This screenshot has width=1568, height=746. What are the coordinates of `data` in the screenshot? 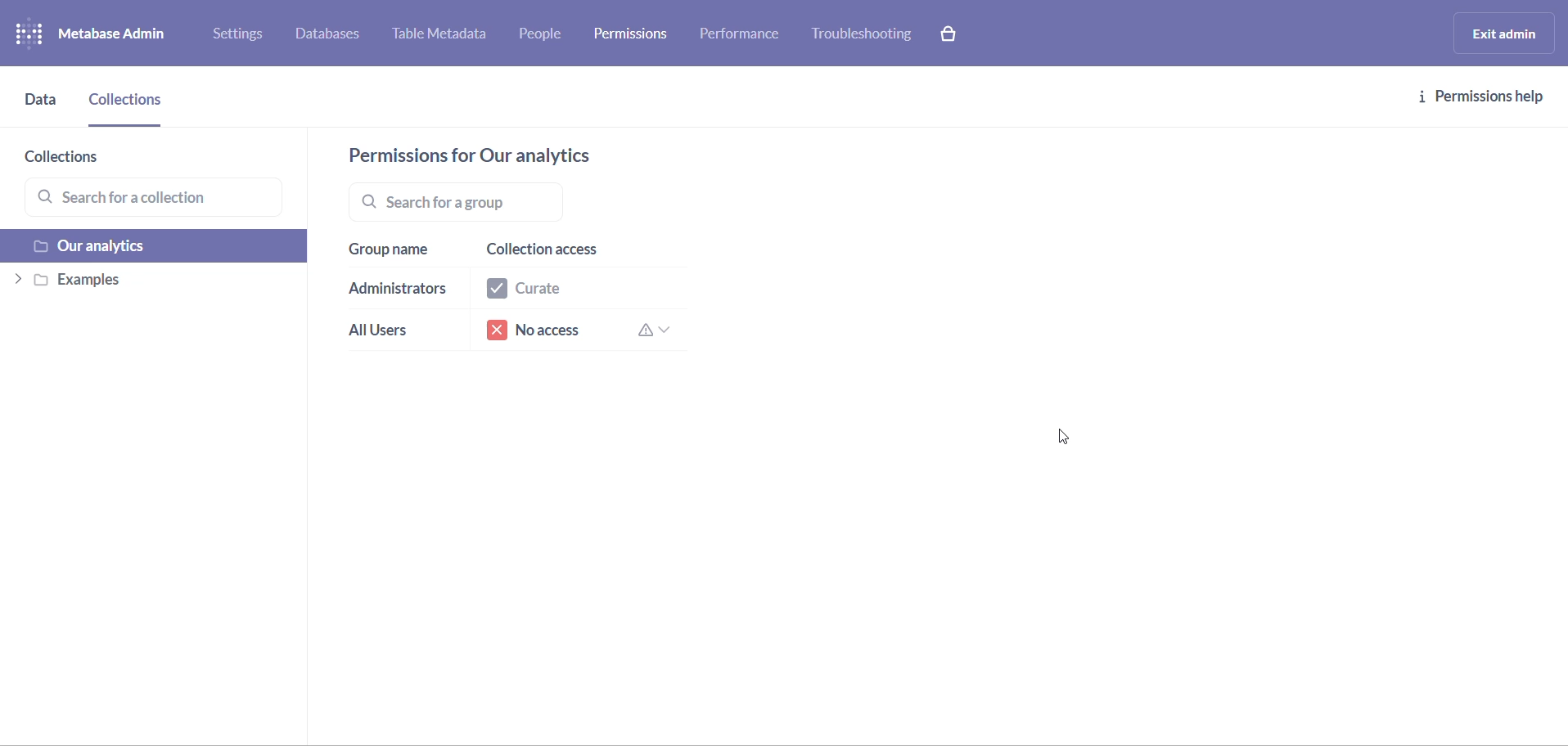 It's located at (42, 108).